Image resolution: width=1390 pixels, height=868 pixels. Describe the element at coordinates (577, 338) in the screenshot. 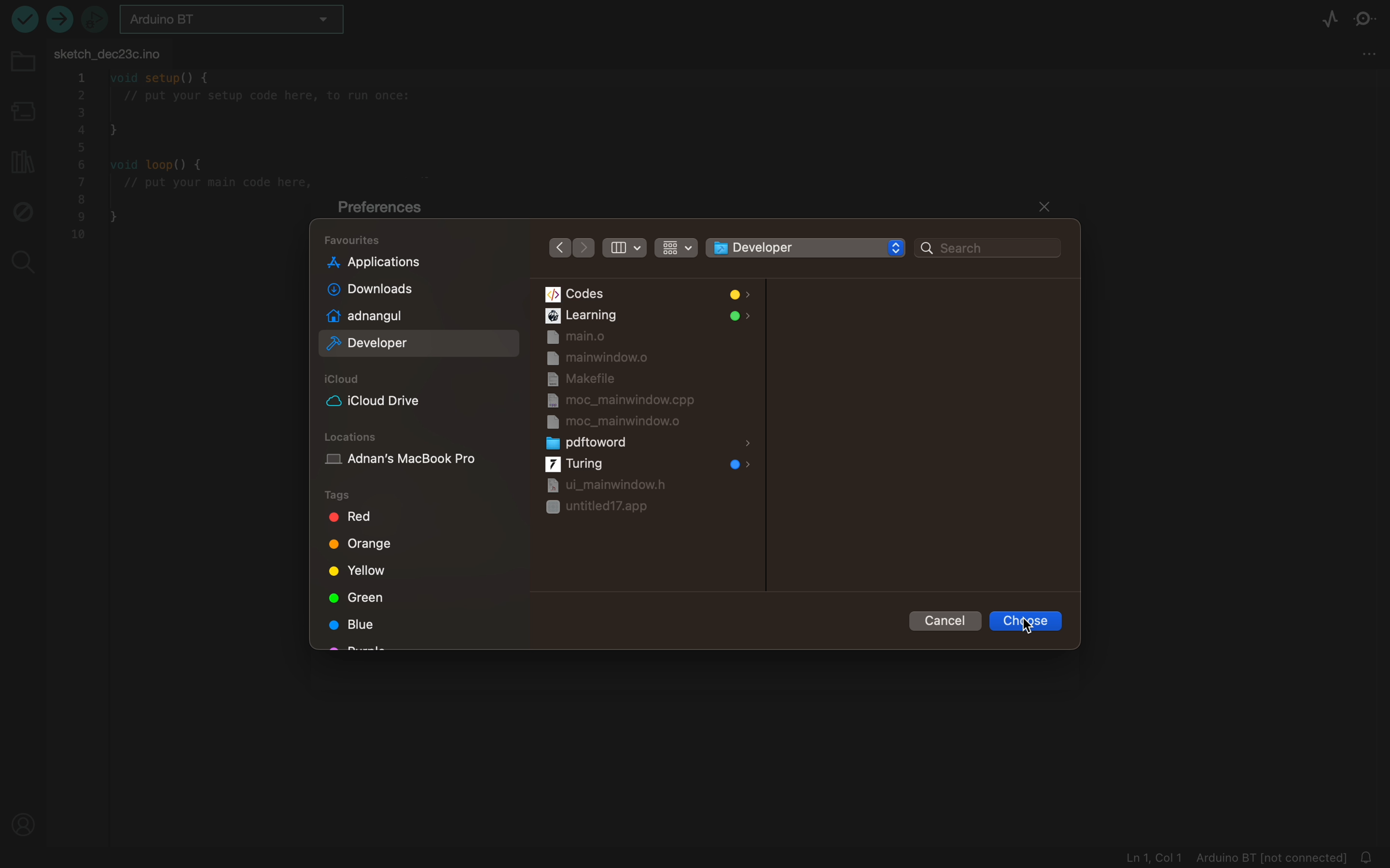

I see `main.o` at that location.